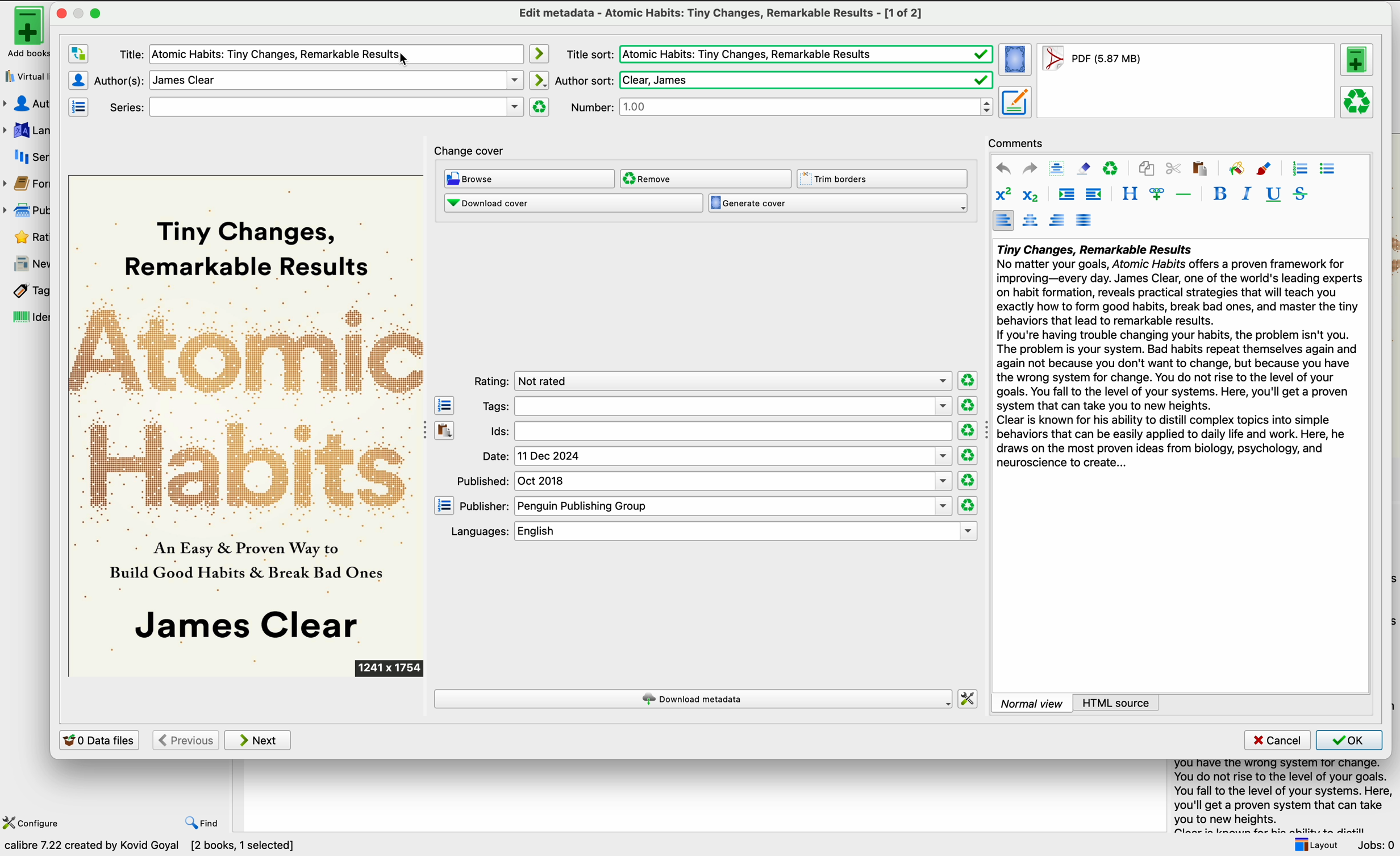 This screenshot has height=856, width=1400. Describe the element at coordinates (1236, 168) in the screenshot. I see `background color` at that location.